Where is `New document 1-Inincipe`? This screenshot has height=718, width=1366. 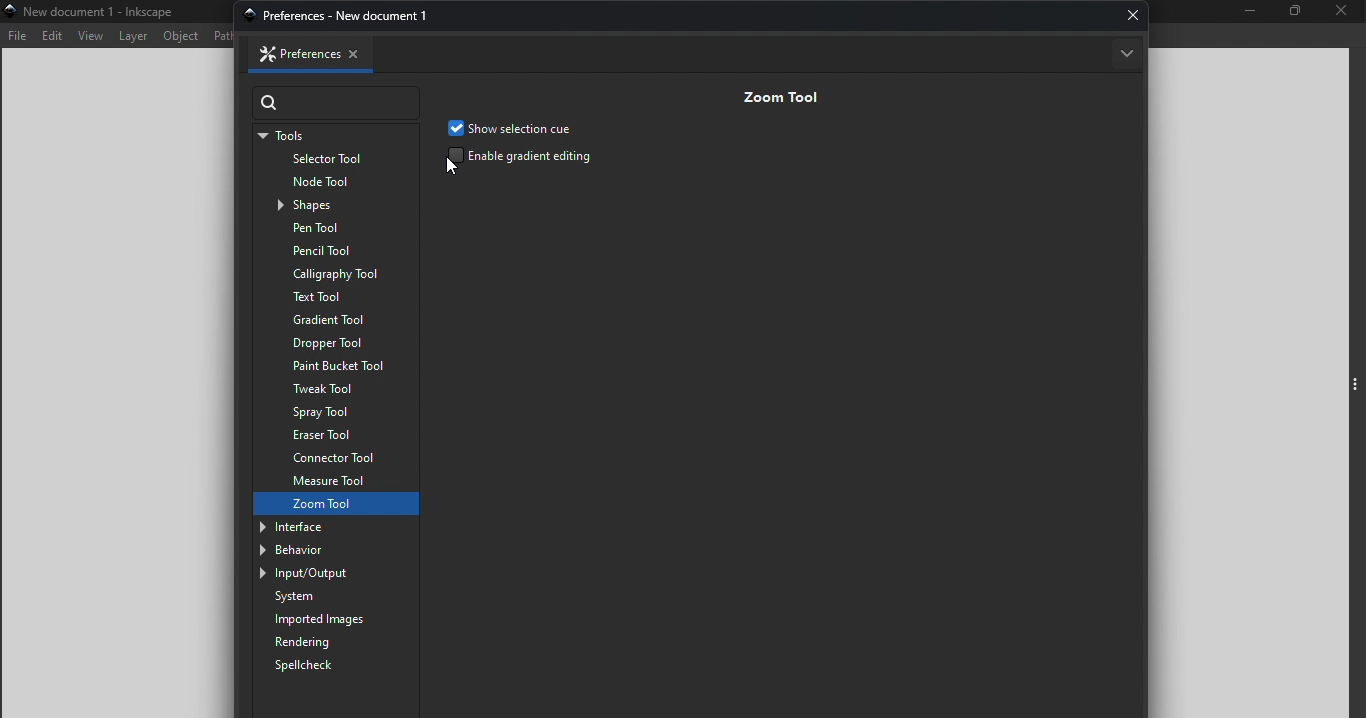
New document 1-Inincipe is located at coordinates (103, 12).